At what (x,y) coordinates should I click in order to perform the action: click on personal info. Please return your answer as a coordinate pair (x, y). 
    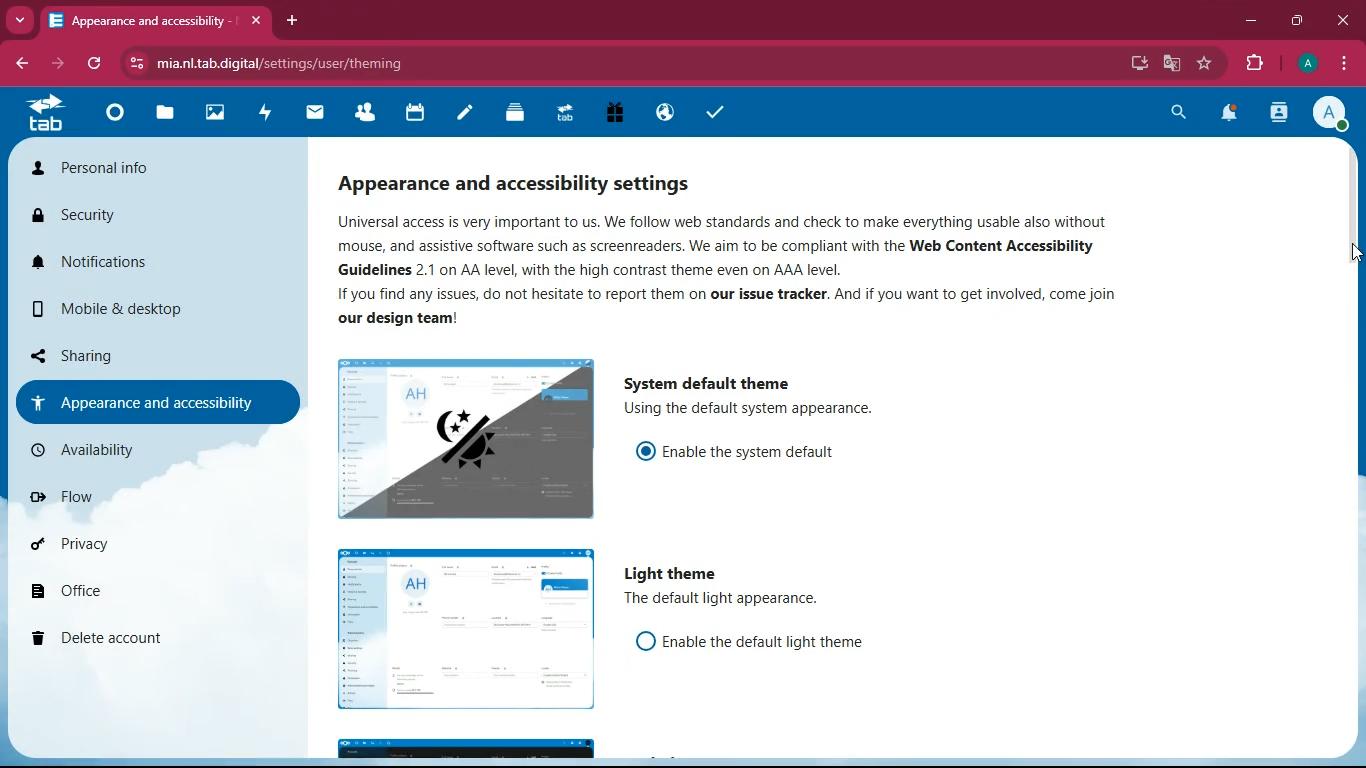
    Looking at the image, I should click on (137, 170).